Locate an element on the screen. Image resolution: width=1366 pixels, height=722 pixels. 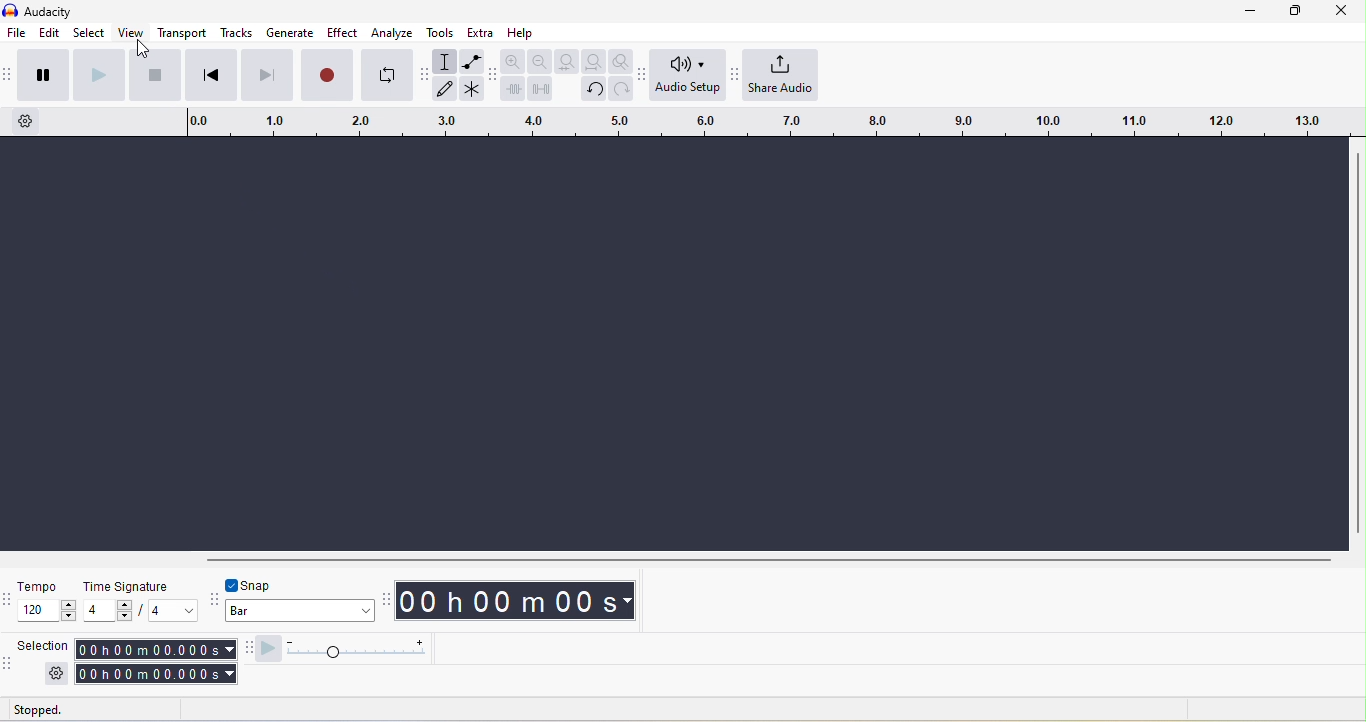
audio setup toolbar is located at coordinates (641, 76).